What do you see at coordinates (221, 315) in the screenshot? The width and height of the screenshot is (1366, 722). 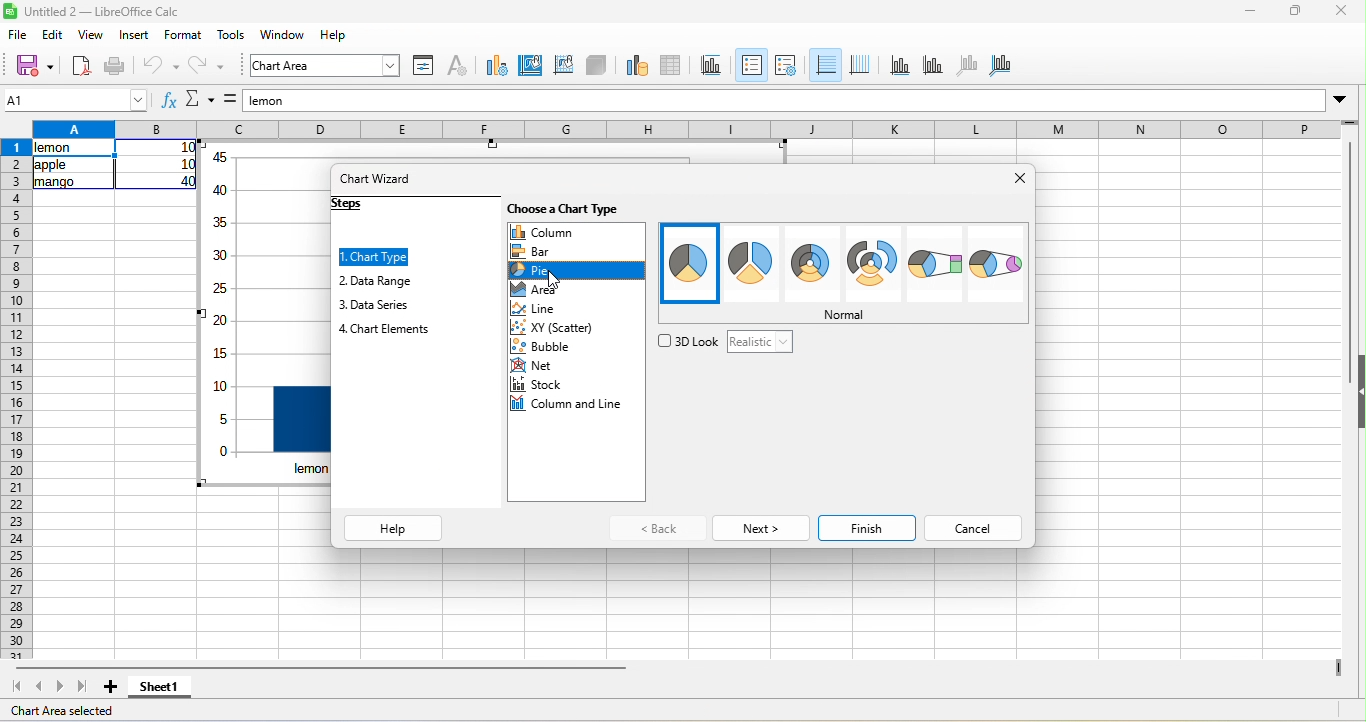 I see `Chart no` at bounding box center [221, 315].